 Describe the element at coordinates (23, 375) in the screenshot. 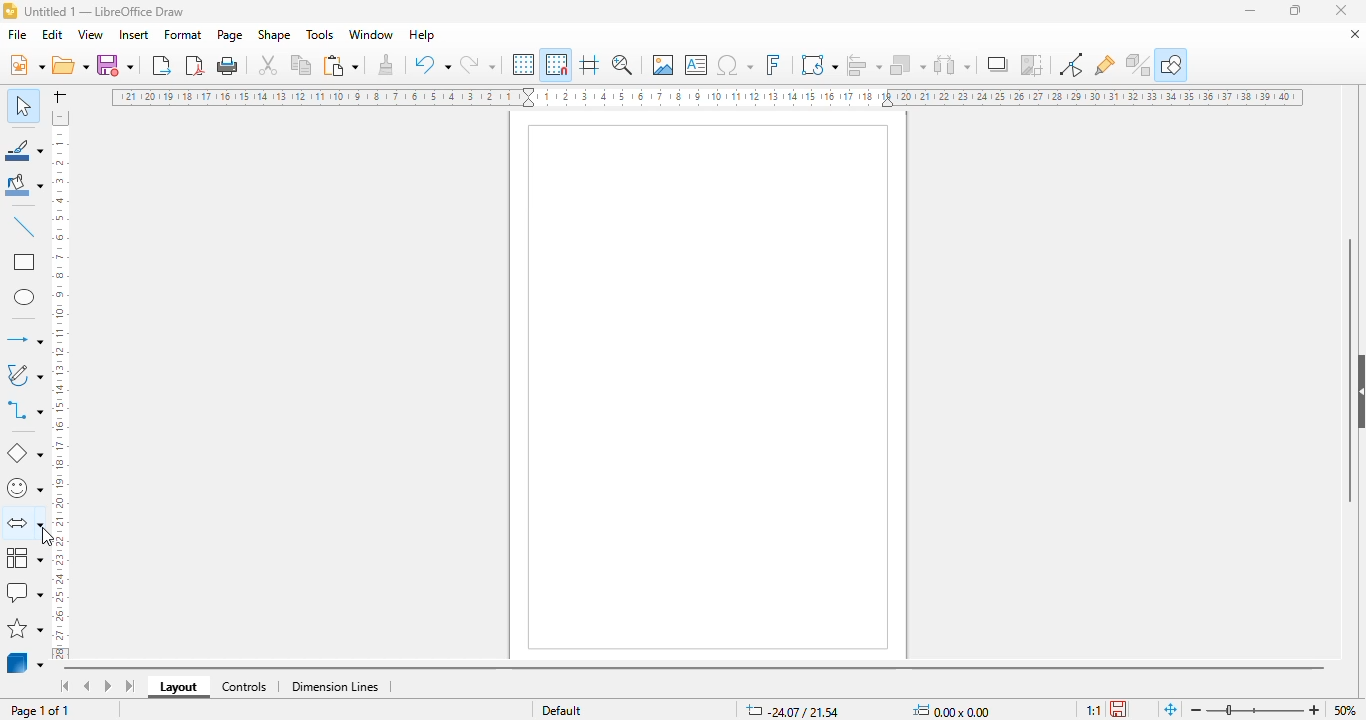

I see `curves and polygons` at that location.